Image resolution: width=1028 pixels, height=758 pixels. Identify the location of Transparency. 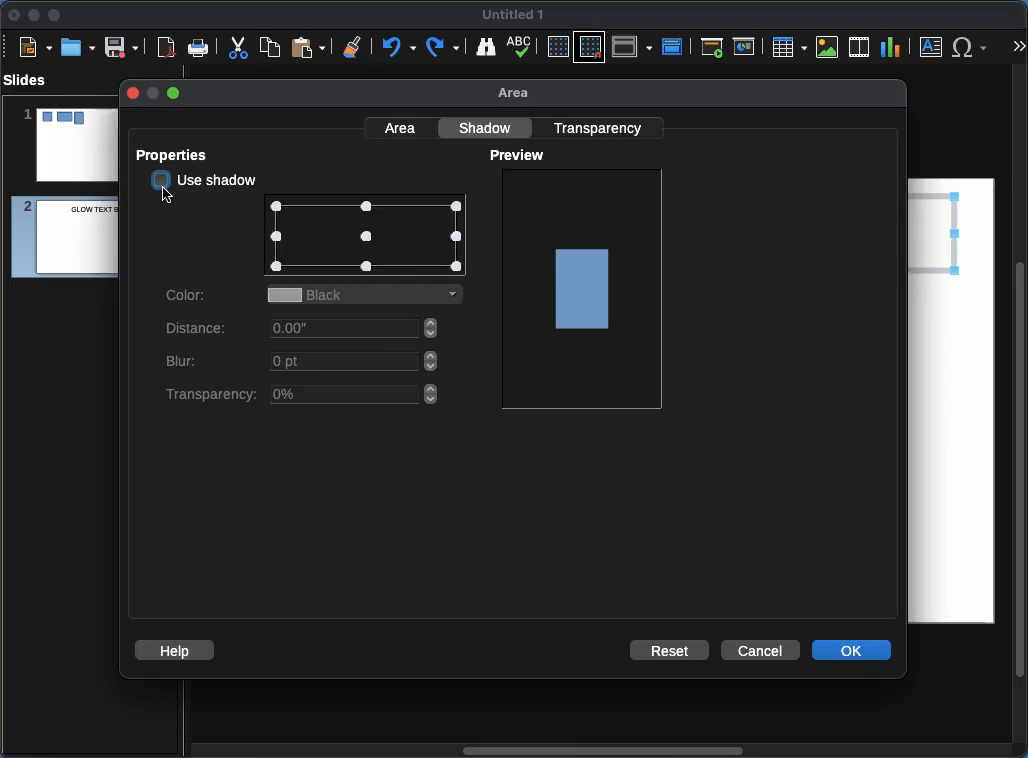
(299, 395).